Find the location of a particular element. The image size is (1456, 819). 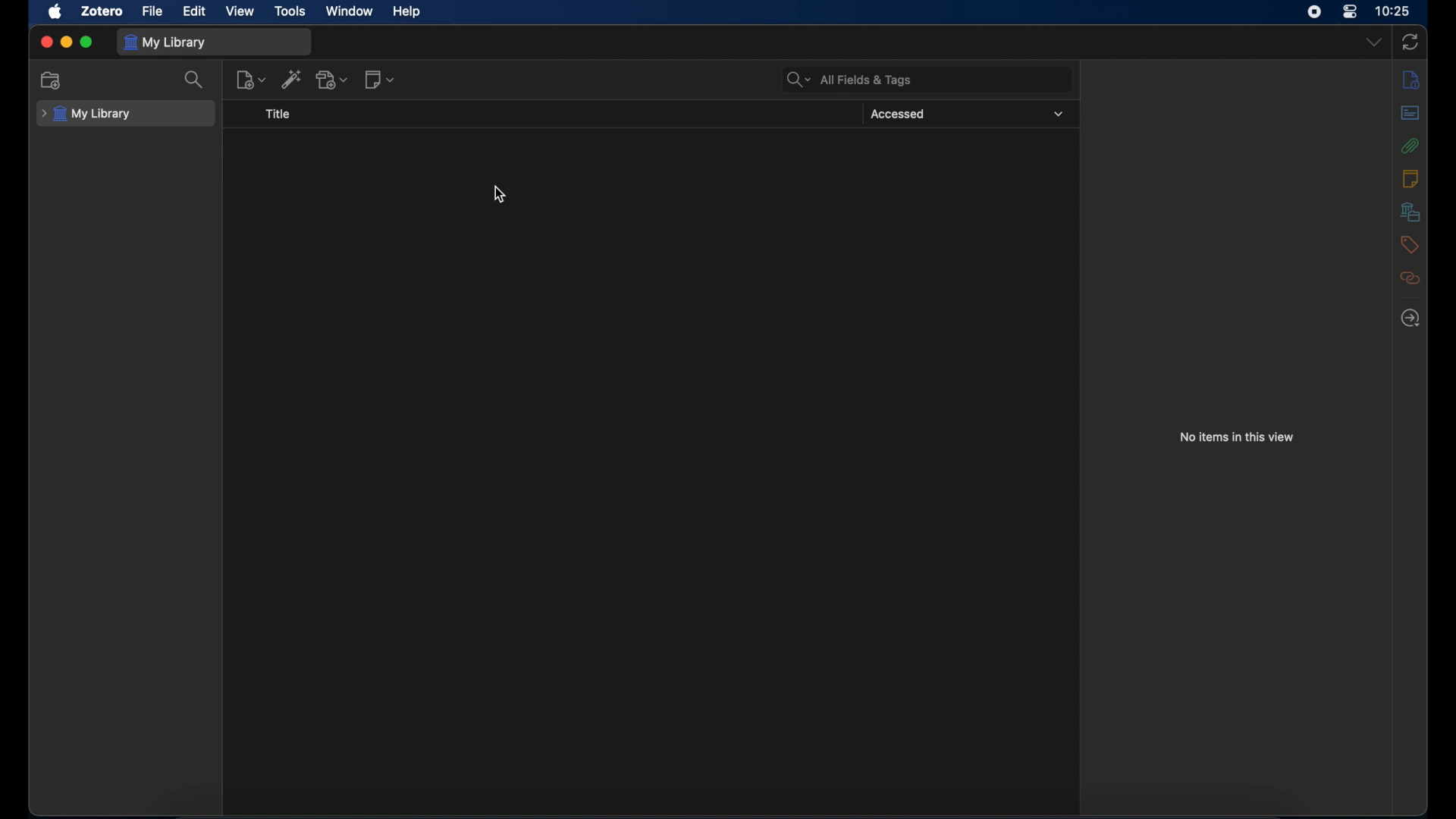

locate is located at coordinates (1411, 318).